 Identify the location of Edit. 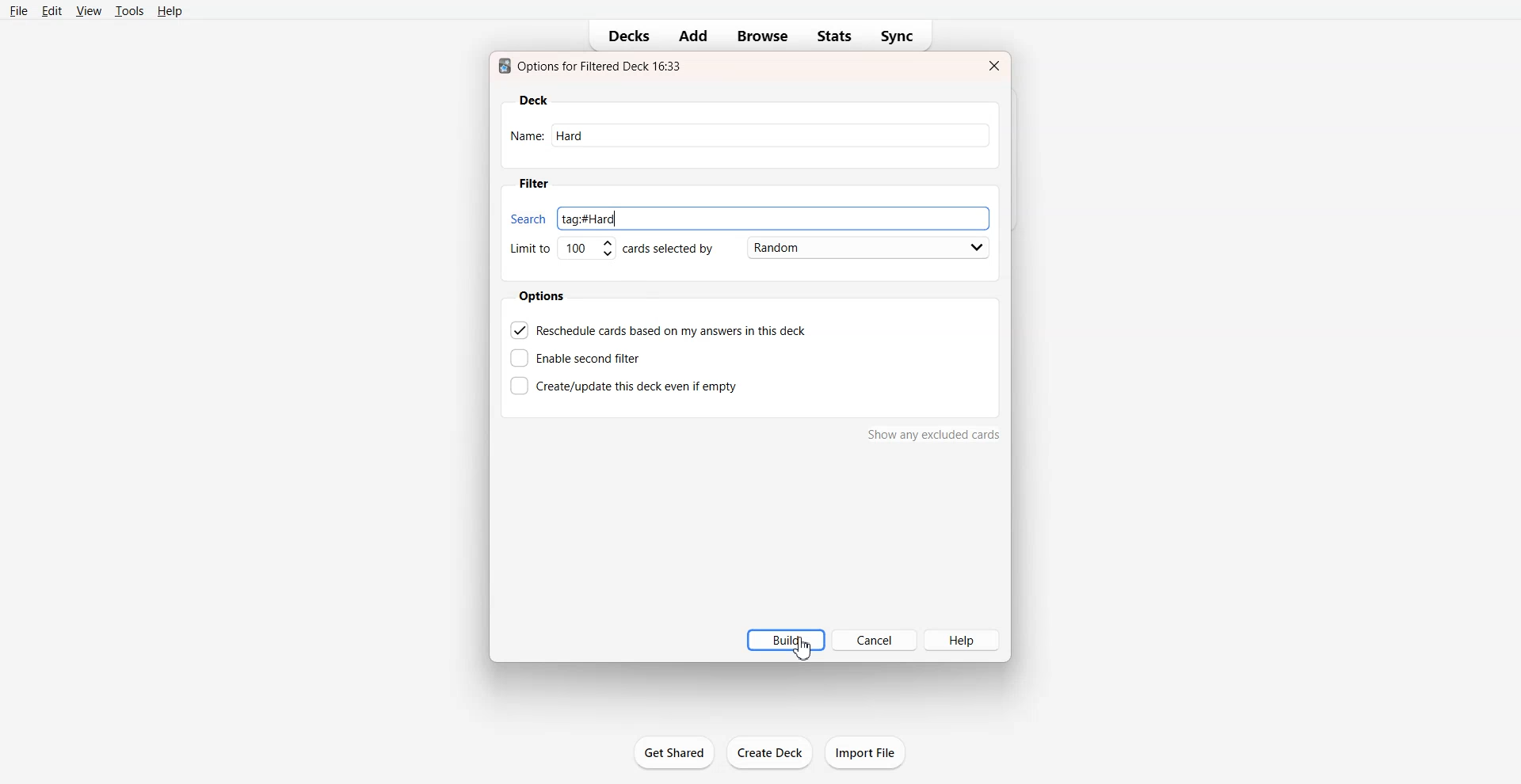
(53, 11).